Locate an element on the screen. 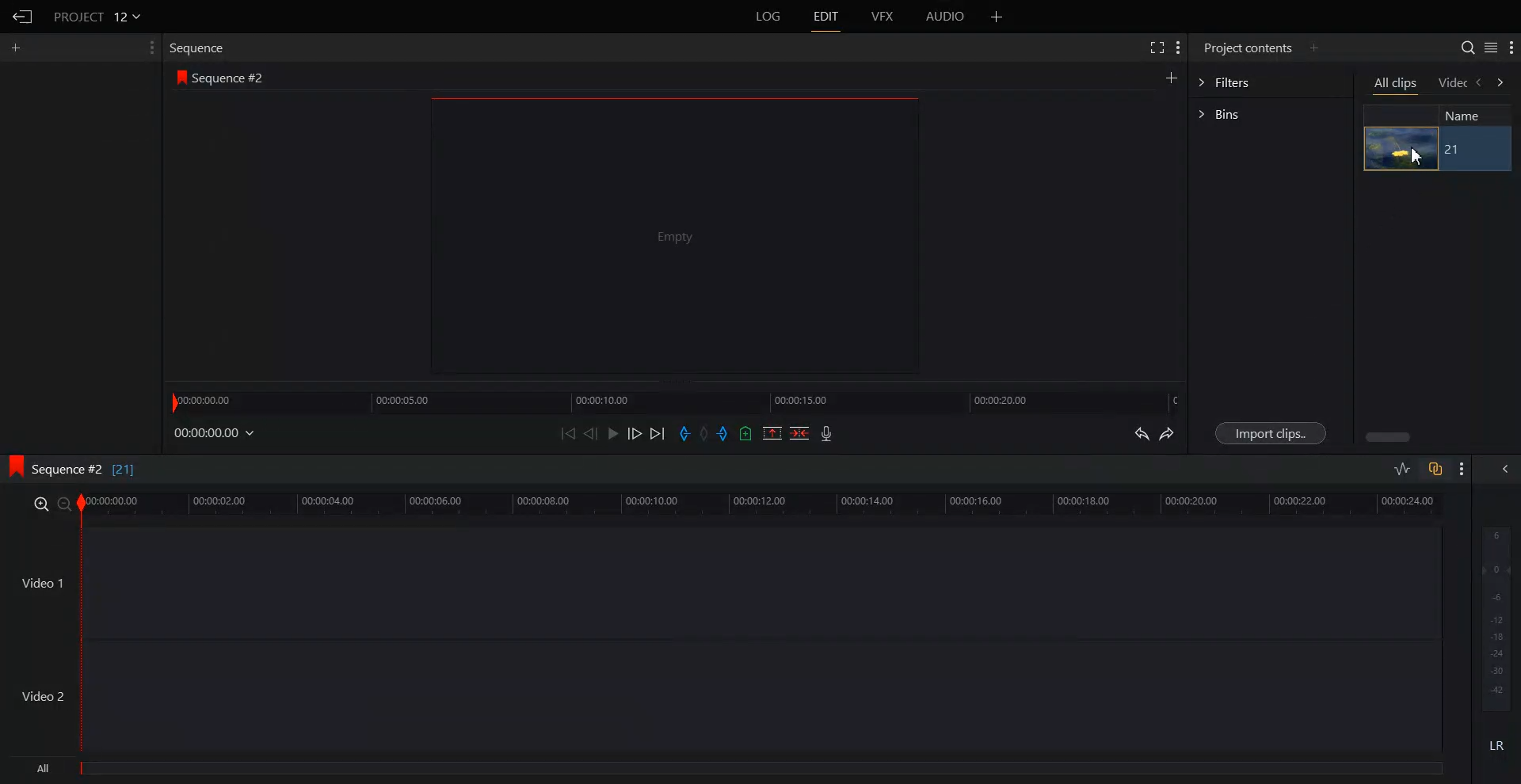  All is located at coordinates (731, 771).